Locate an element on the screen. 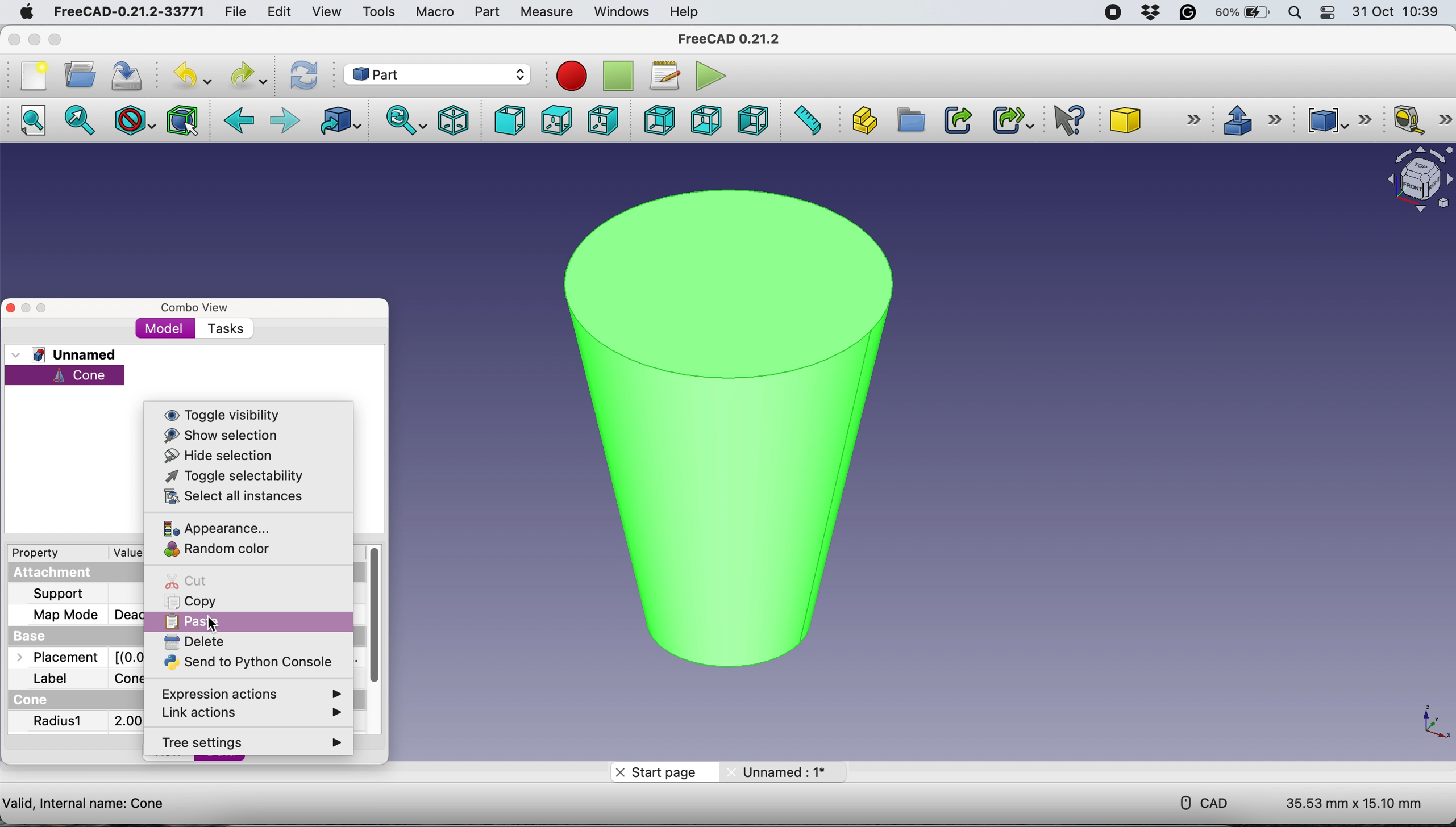  xy scale is located at coordinates (1427, 722).